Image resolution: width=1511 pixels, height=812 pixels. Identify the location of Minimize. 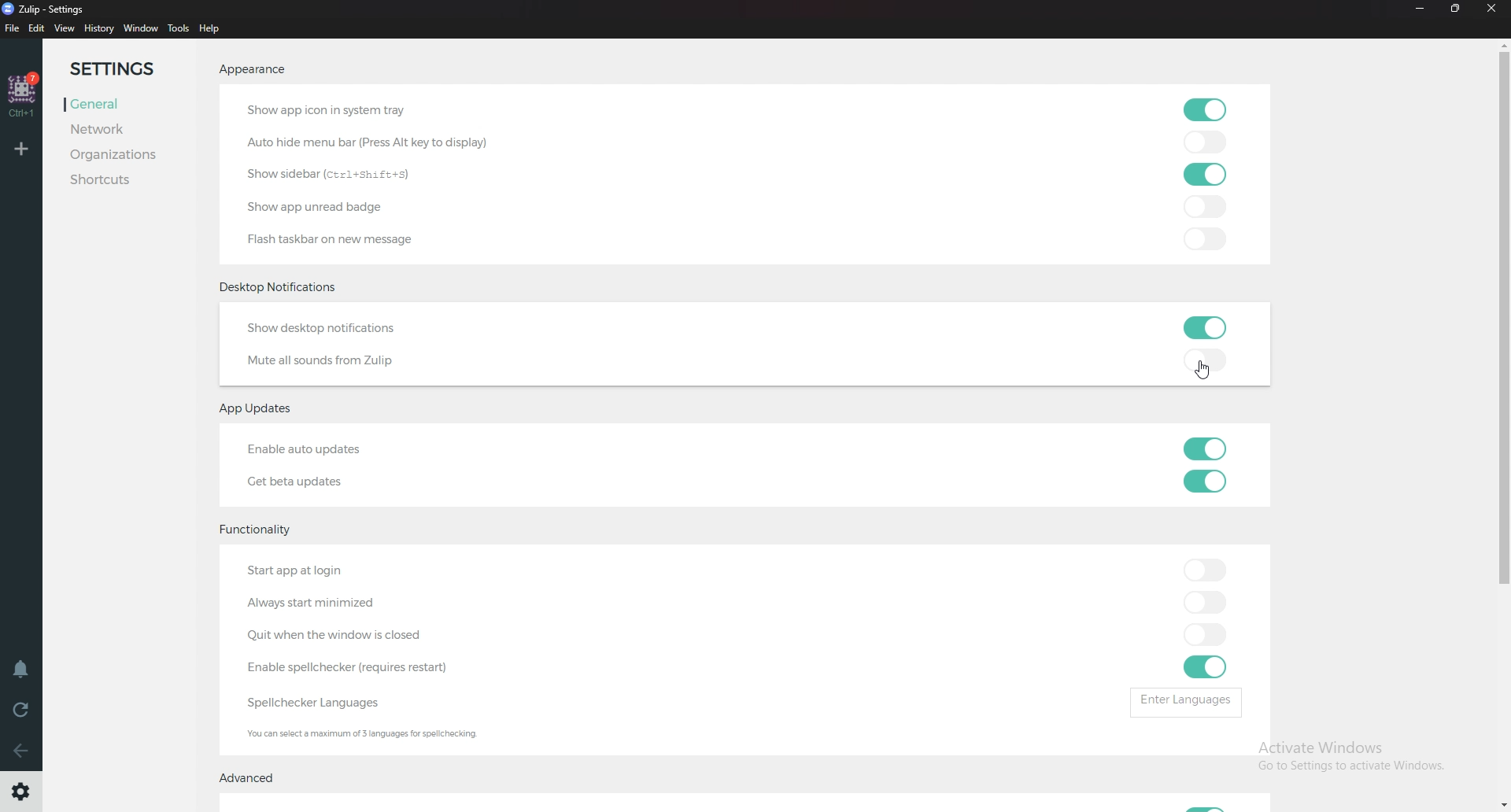
(1419, 9).